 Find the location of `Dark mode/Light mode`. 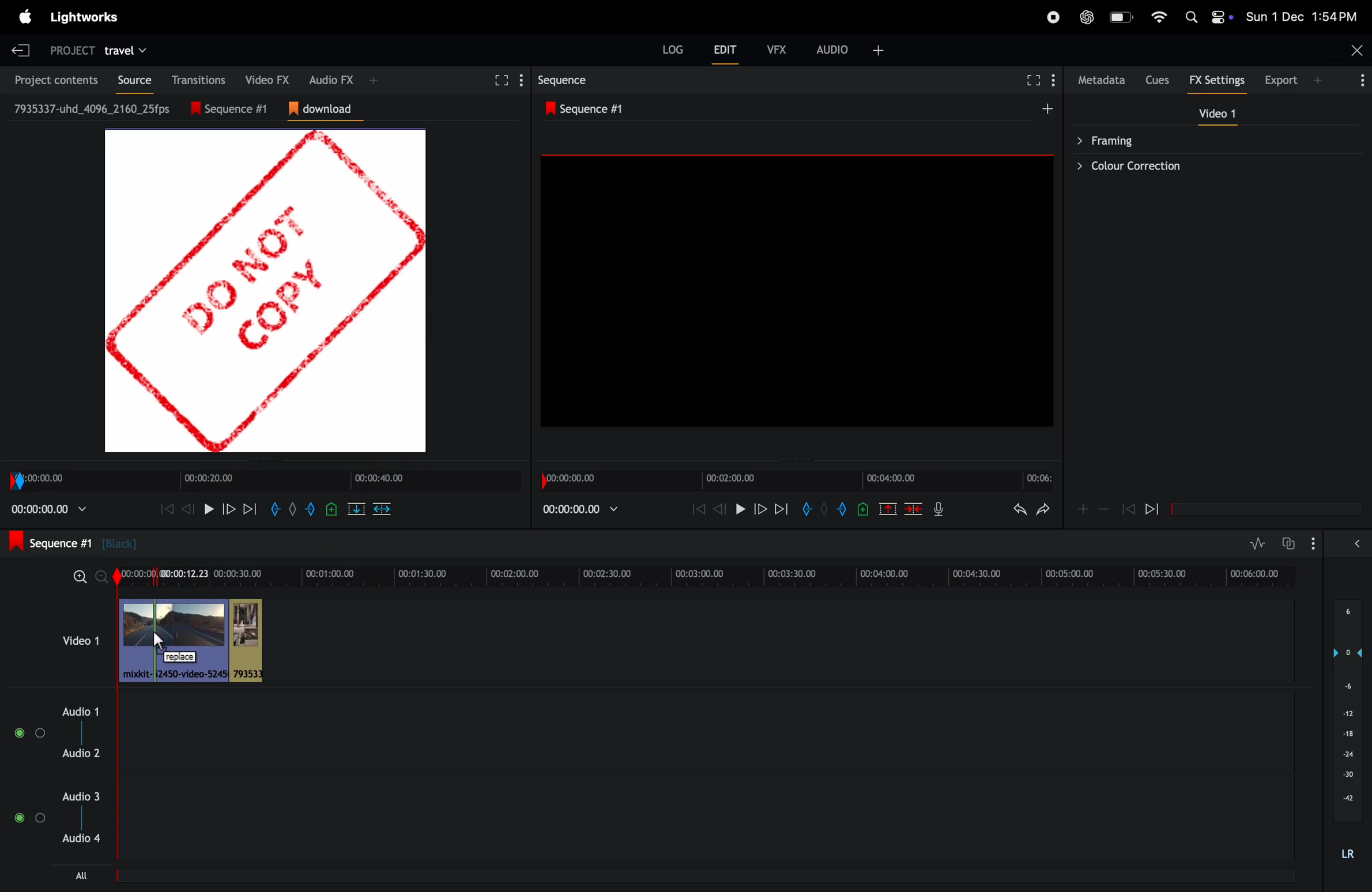

Dark mode/Light mode is located at coordinates (1222, 17).